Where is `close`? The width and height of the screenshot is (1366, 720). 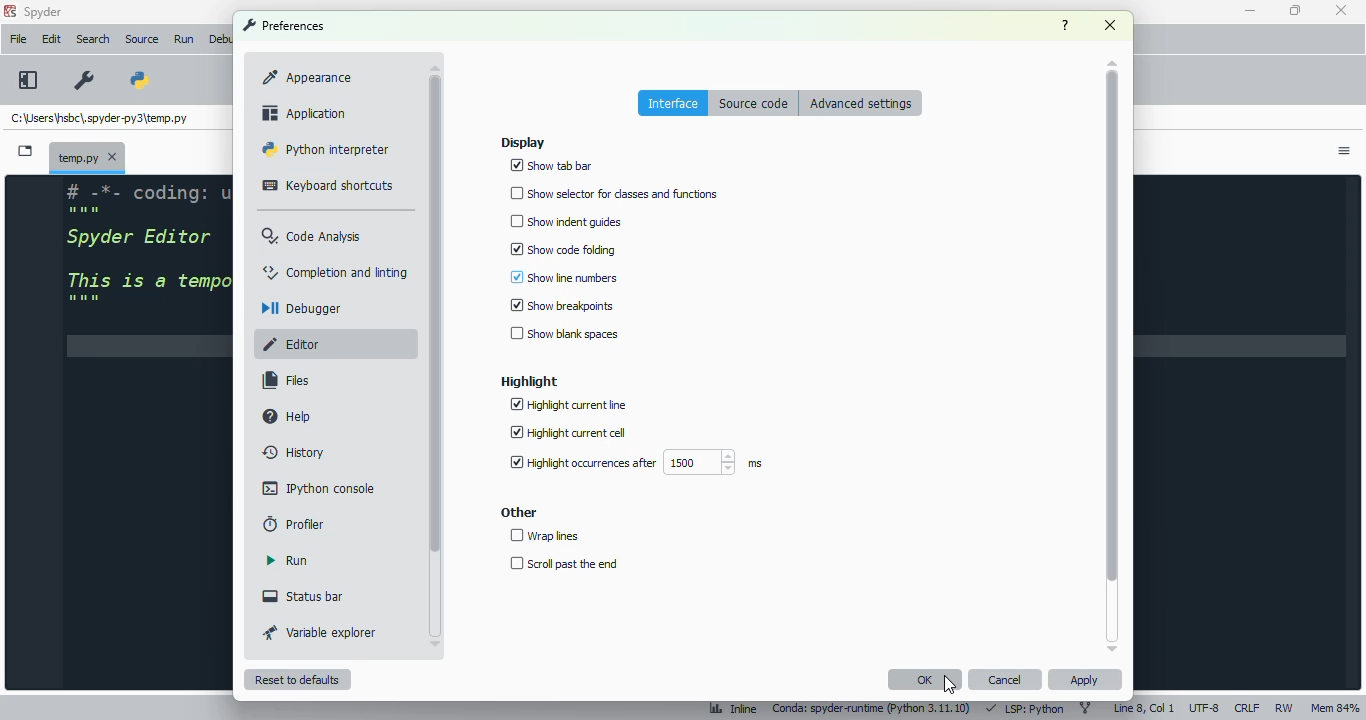
close is located at coordinates (1109, 25).